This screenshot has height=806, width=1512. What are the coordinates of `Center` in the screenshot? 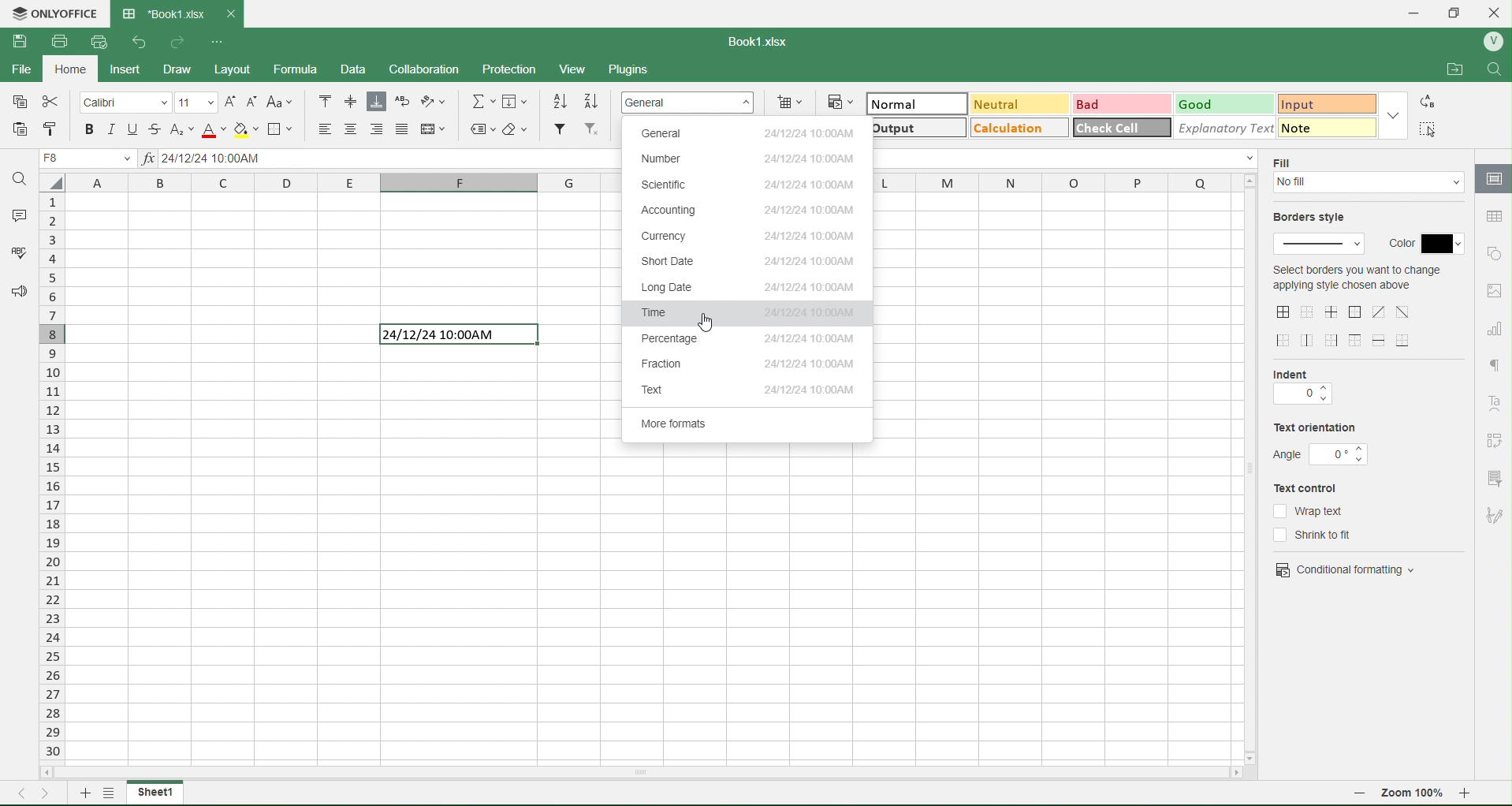 It's located at (352, 129).